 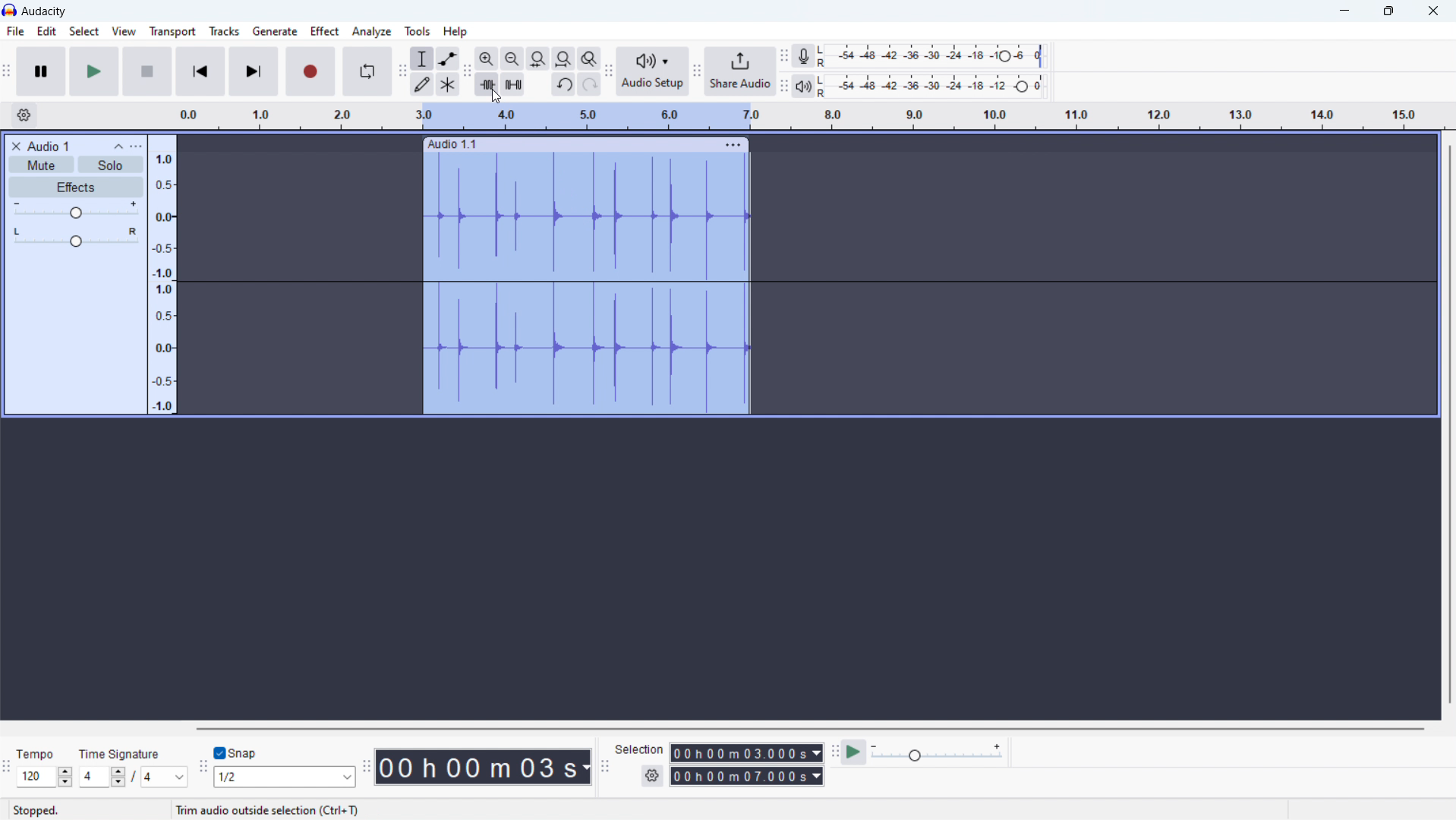 What do you see at coordinates (285, 777) in the screenshot?
I see `1/2 (select snap)` at bounding box center [285, 777].